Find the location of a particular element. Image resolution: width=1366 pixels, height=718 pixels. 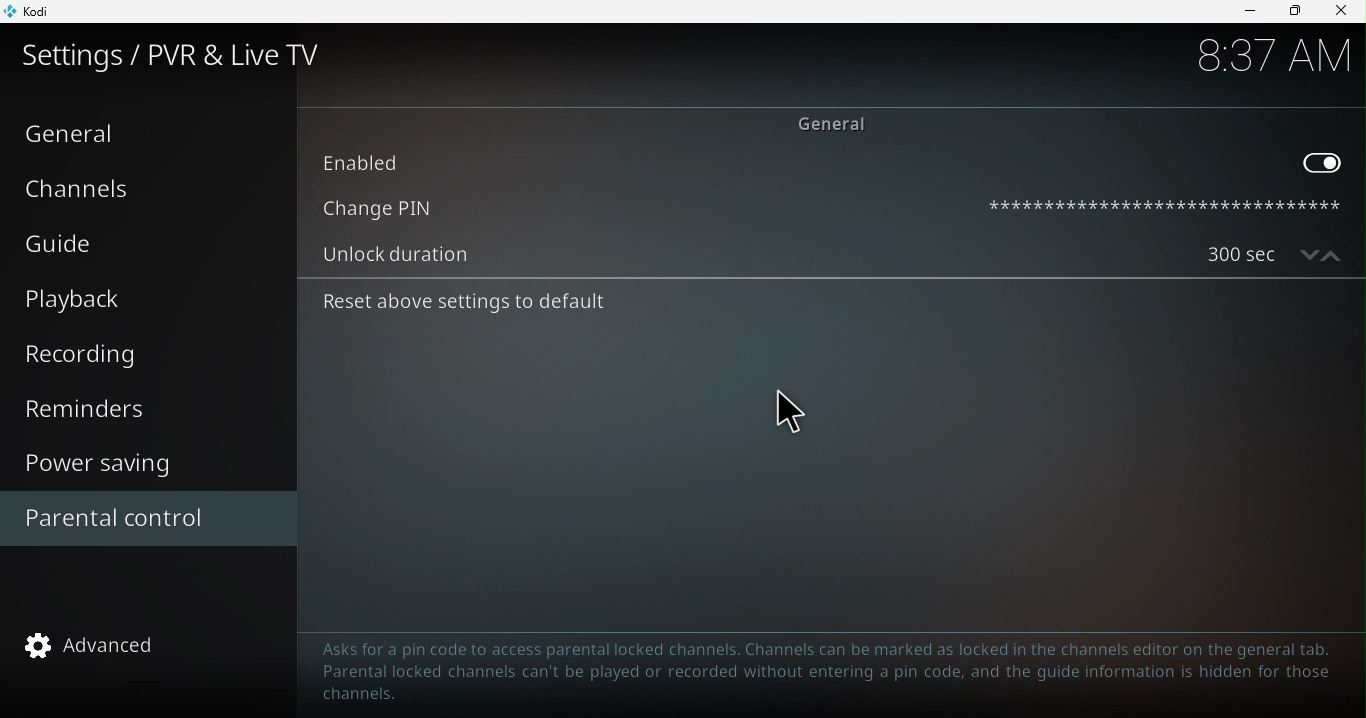

Change pin is located at coordinates (828, 211).